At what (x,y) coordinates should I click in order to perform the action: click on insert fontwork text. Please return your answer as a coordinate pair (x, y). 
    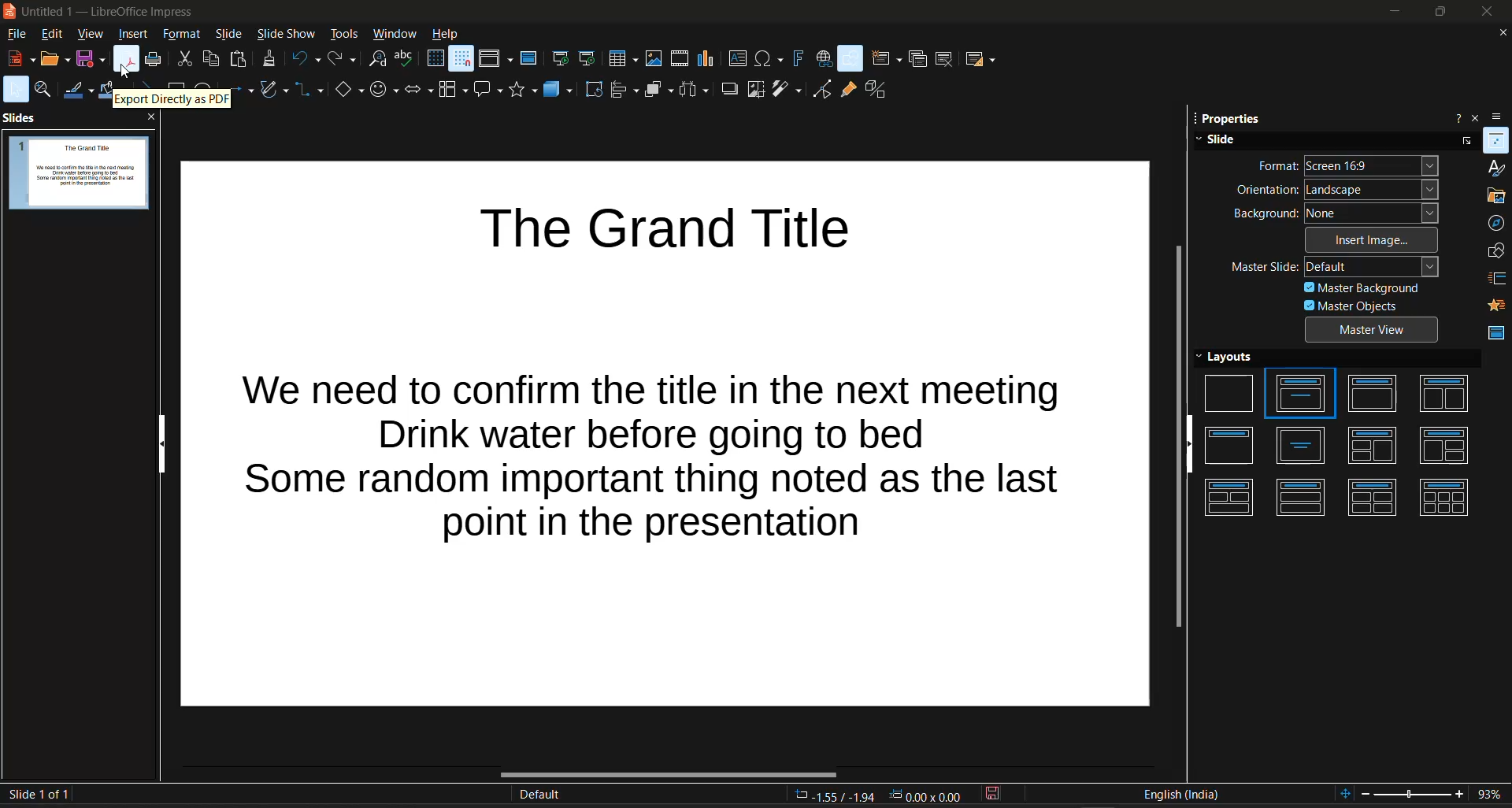
    Looking at the image, I should click on (797, 57).